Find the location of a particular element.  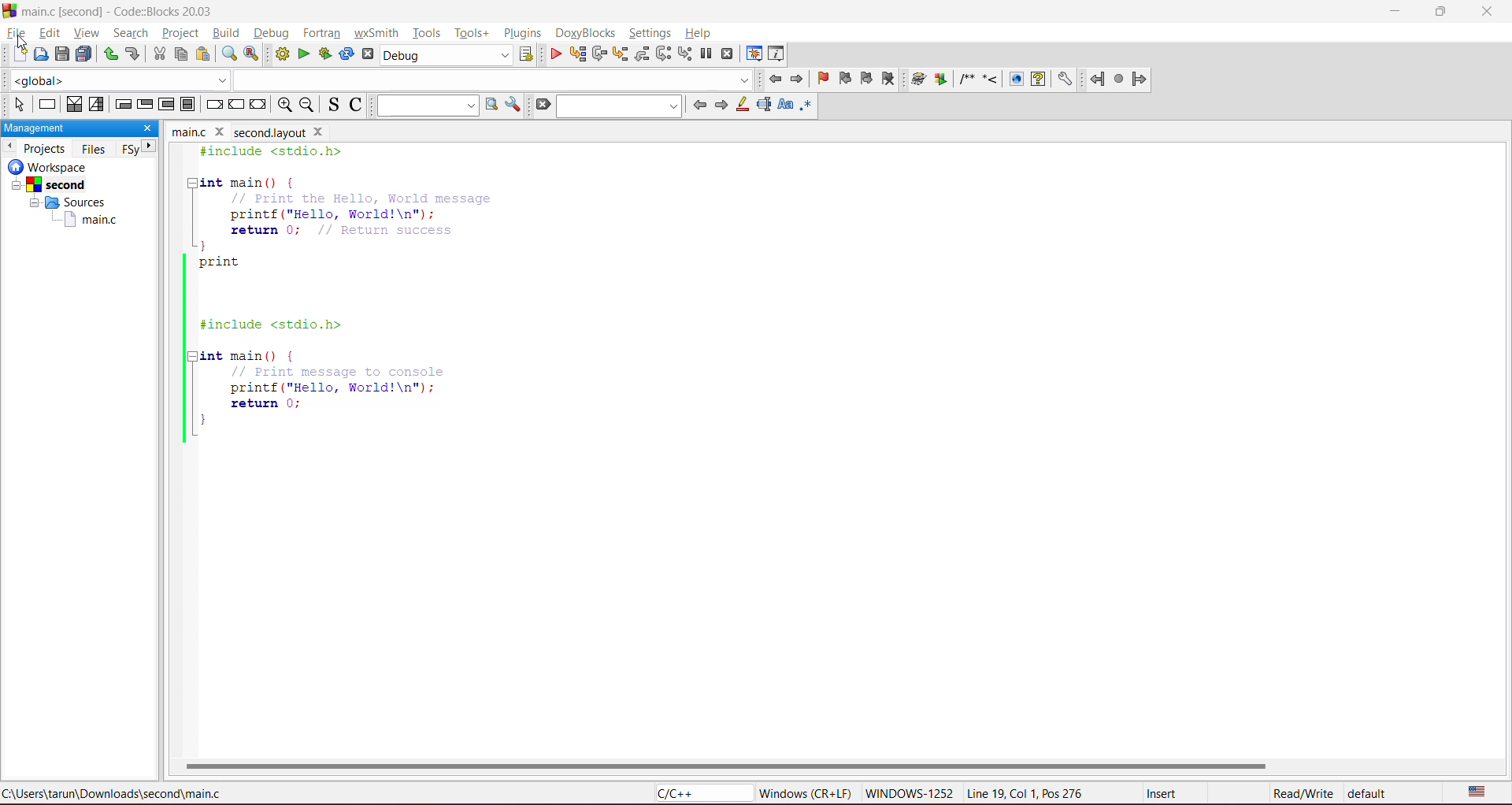

cut is located at coordinates (158, 54).